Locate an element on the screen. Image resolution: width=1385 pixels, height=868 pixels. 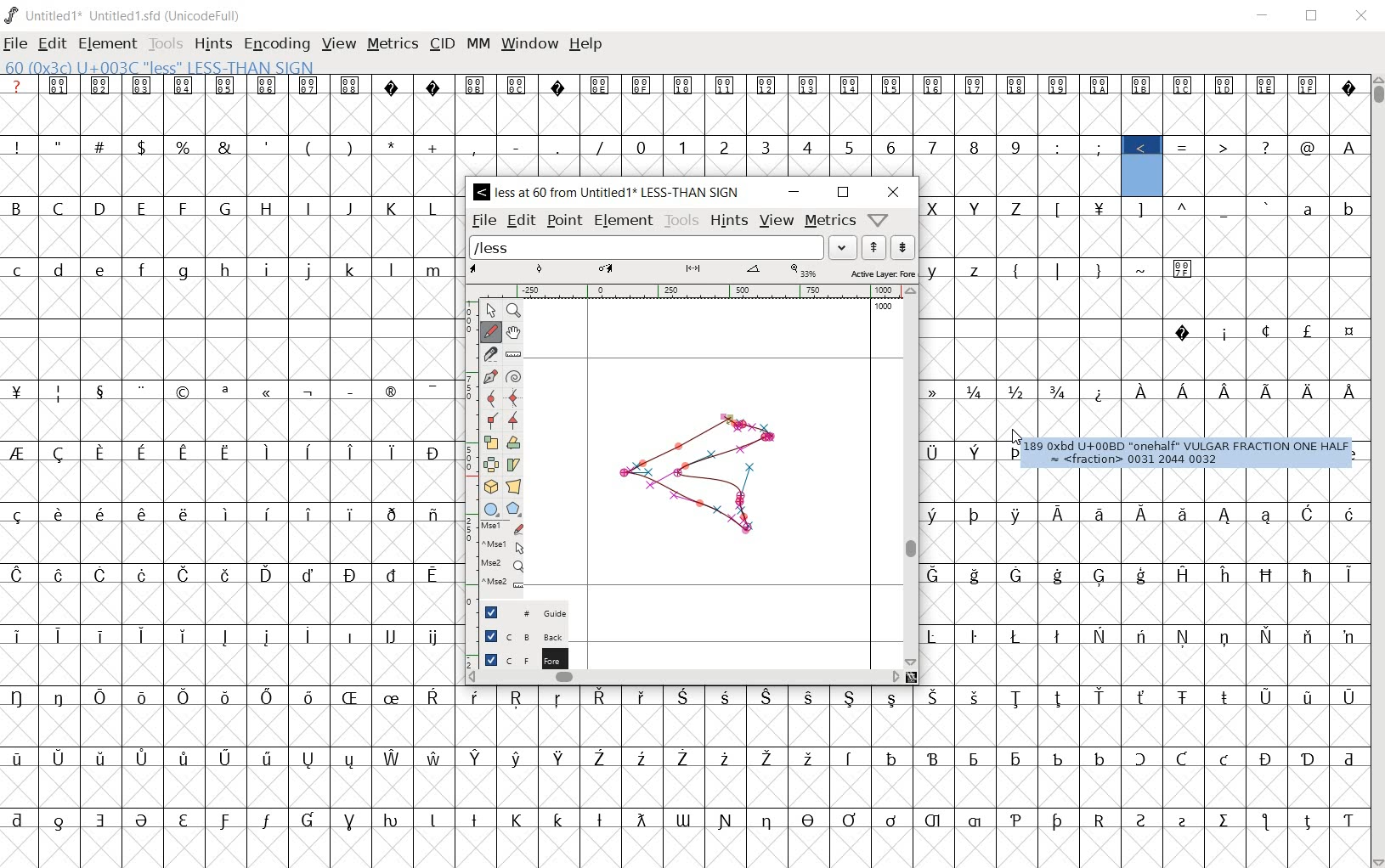
Untitled1 Untitled1.sfd (UnicodeFull) is located at coordinates (124, 15).